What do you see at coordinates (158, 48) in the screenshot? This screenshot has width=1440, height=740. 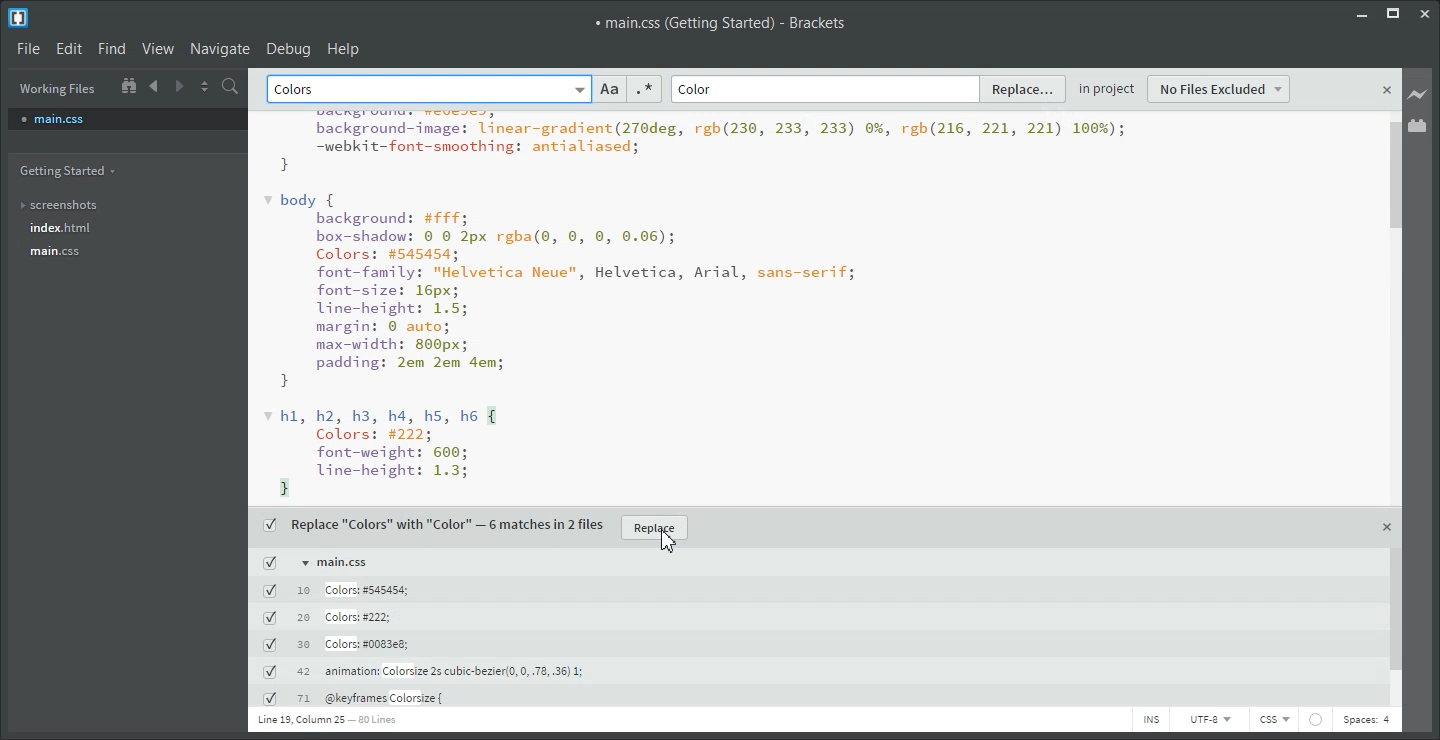 I see `View` at bounding box center [158, 48].